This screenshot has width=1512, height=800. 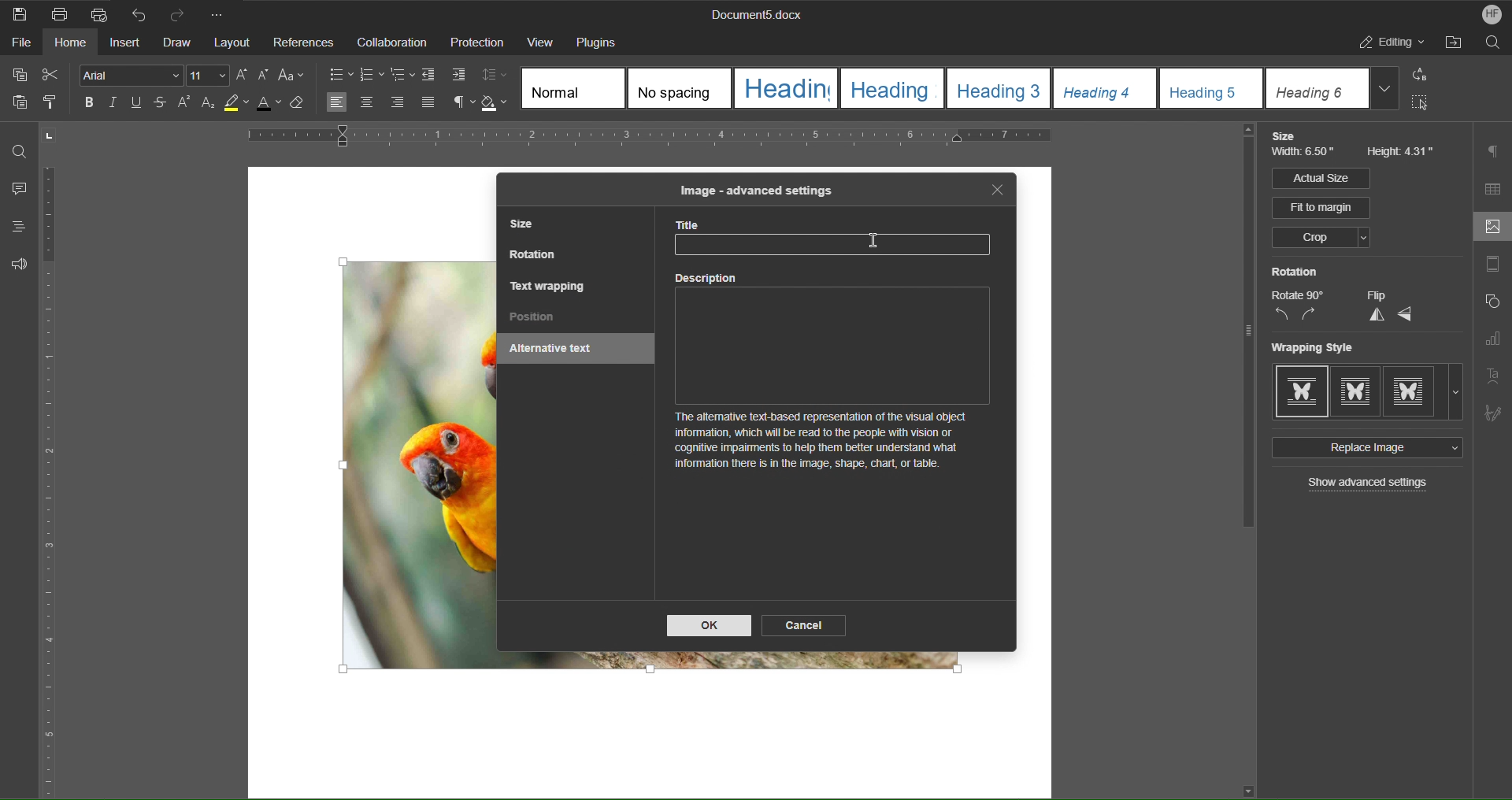 I want to click on Font, so click(x=127, y=75).